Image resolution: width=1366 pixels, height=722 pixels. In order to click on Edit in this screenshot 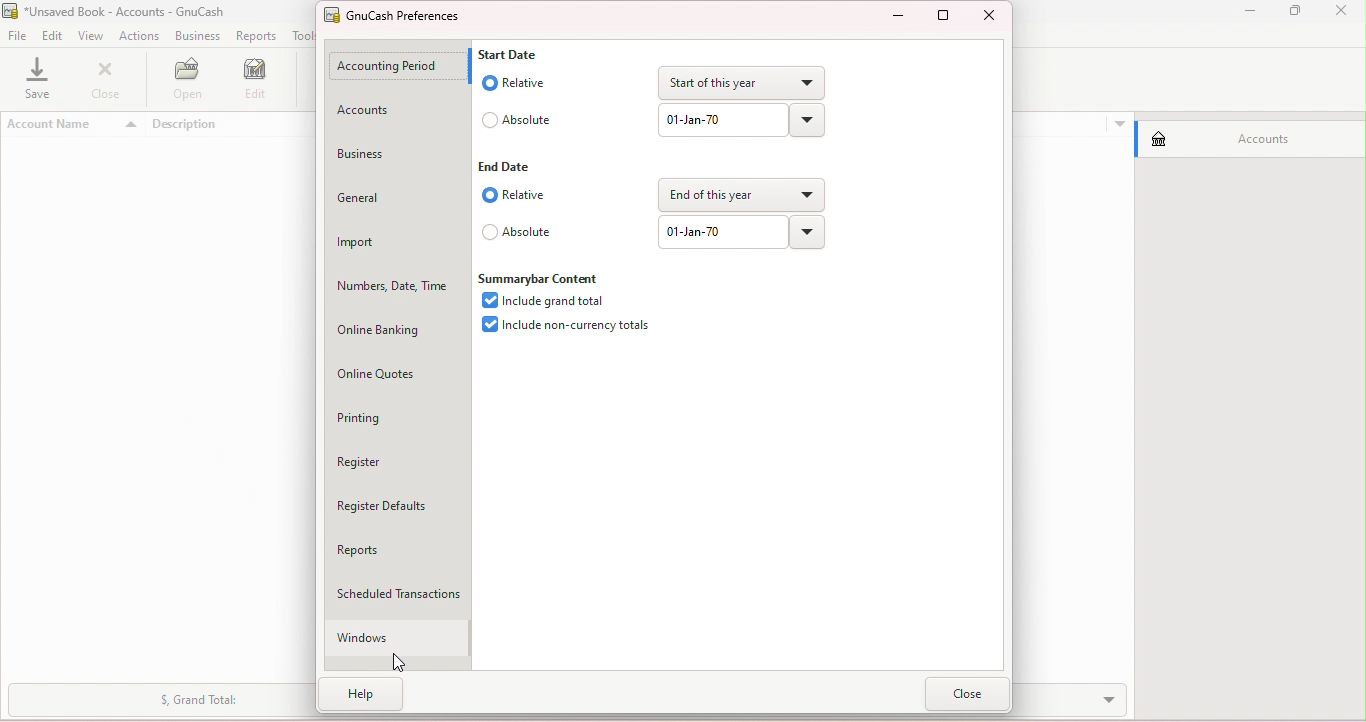, I will do `click(259, 81)`.